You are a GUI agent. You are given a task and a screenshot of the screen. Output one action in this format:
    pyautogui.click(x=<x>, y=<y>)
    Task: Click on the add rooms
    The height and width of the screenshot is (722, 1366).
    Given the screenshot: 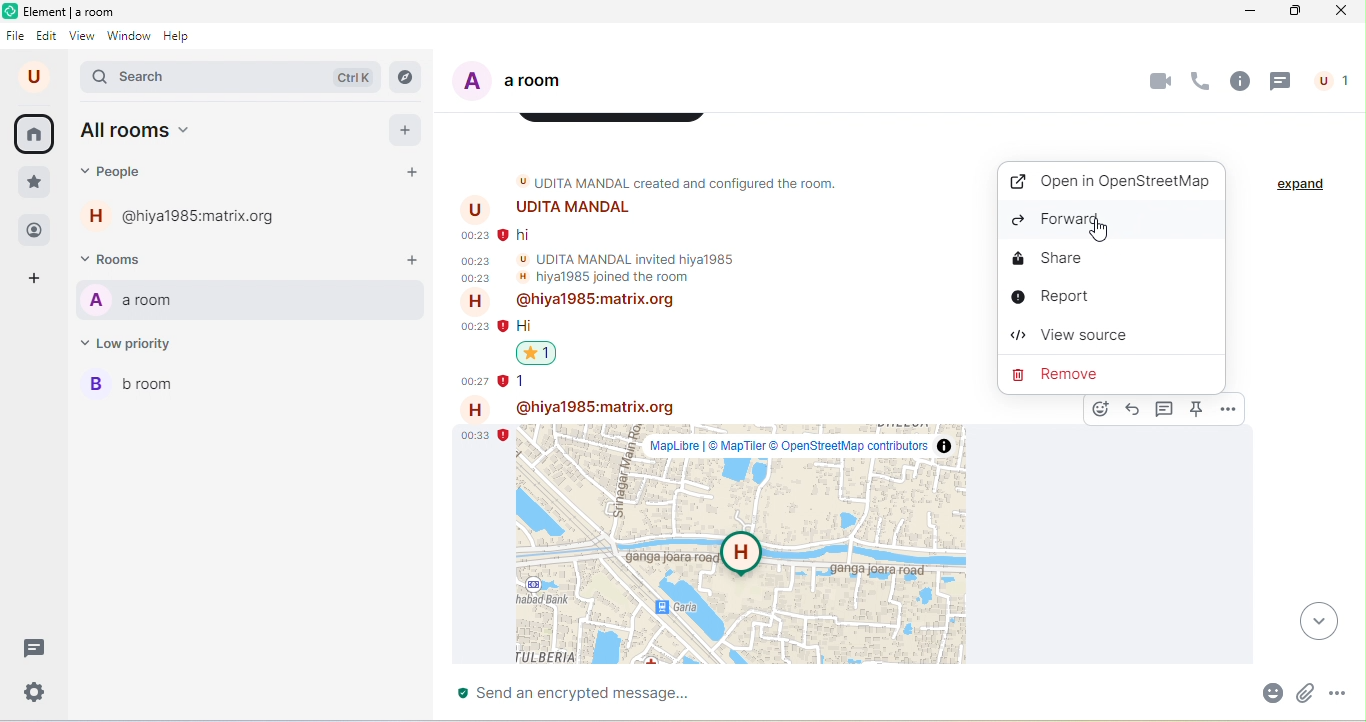 What is the action you would take?
    pyautogui.click(x=412, y=262)
    